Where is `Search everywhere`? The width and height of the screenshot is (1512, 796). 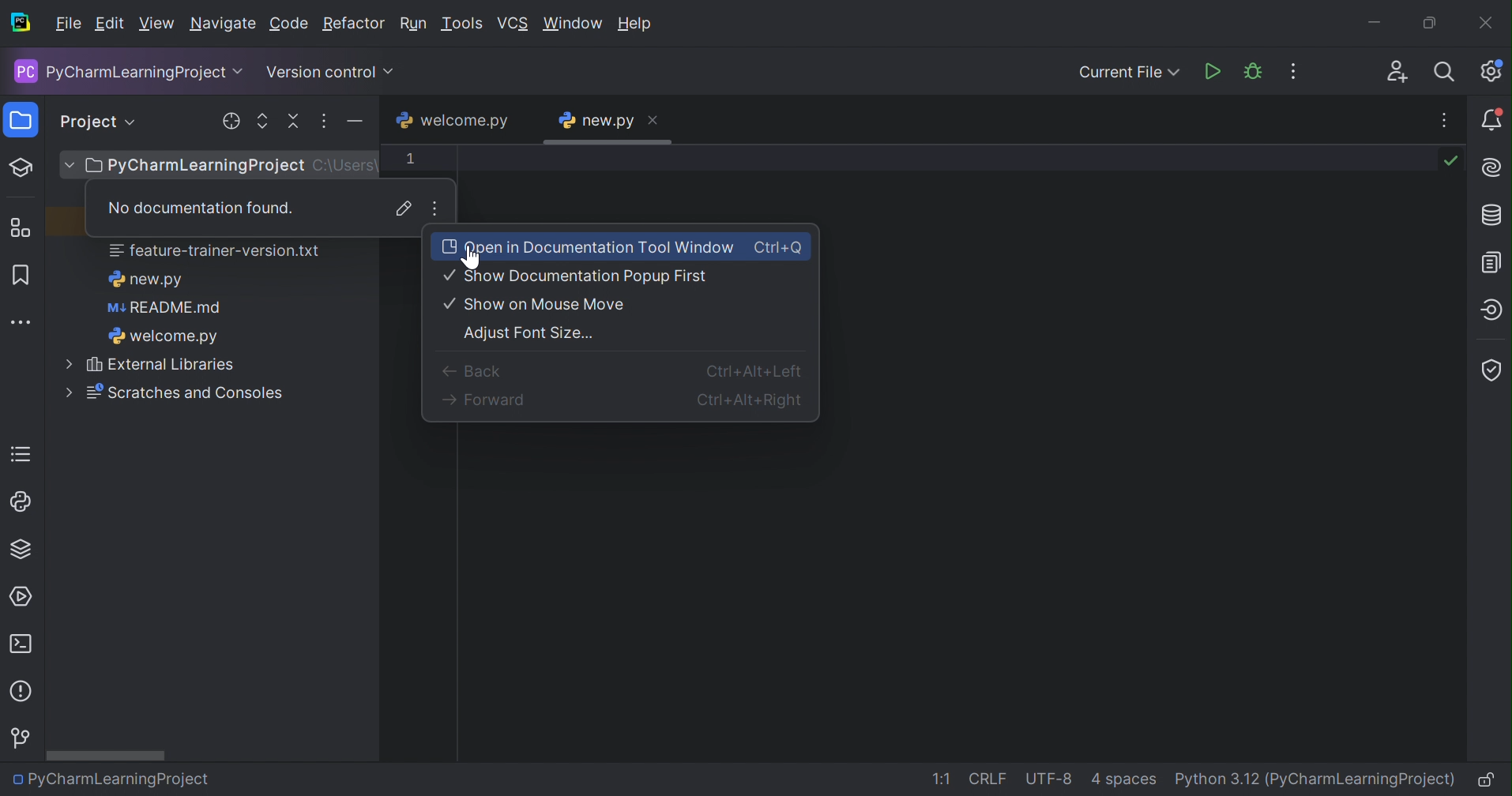
Search everywhere is located at coordinates (1446, 74).